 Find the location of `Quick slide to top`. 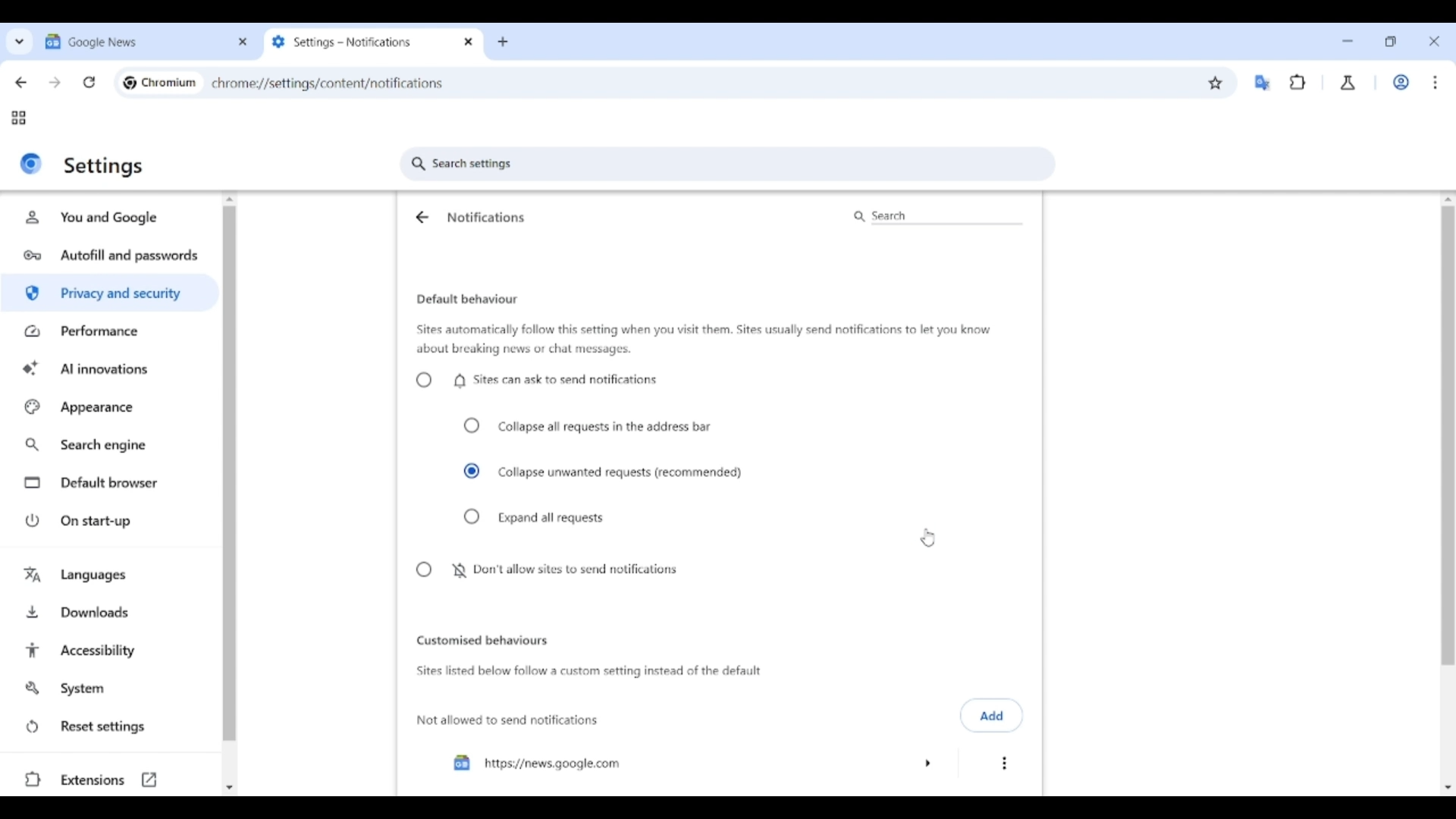

Quick slide to top is located at coordinates (1448, 199).